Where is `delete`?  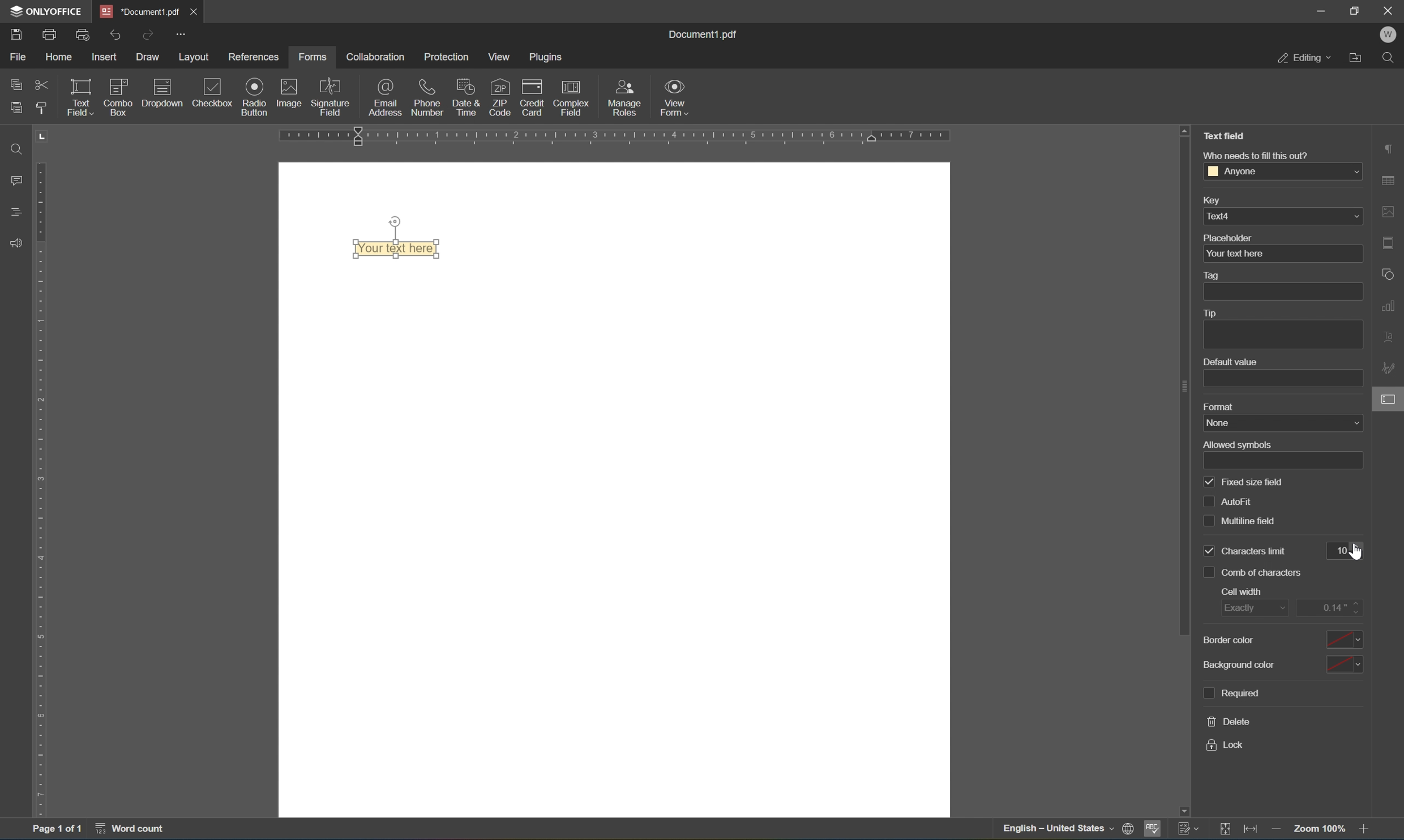 delete is located at coordinates (1230, 722).